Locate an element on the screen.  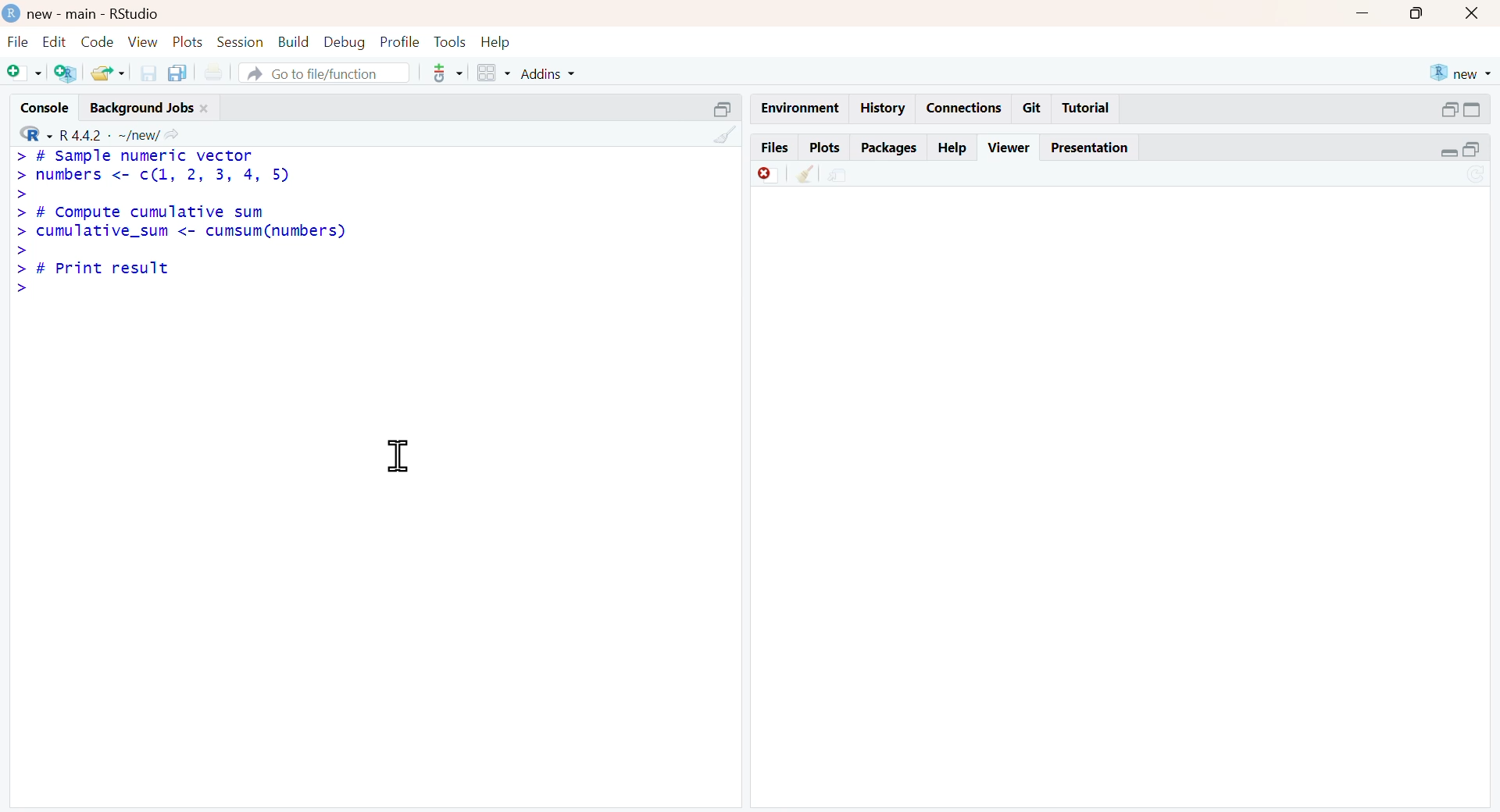
save is located at coordinates (149, 73).